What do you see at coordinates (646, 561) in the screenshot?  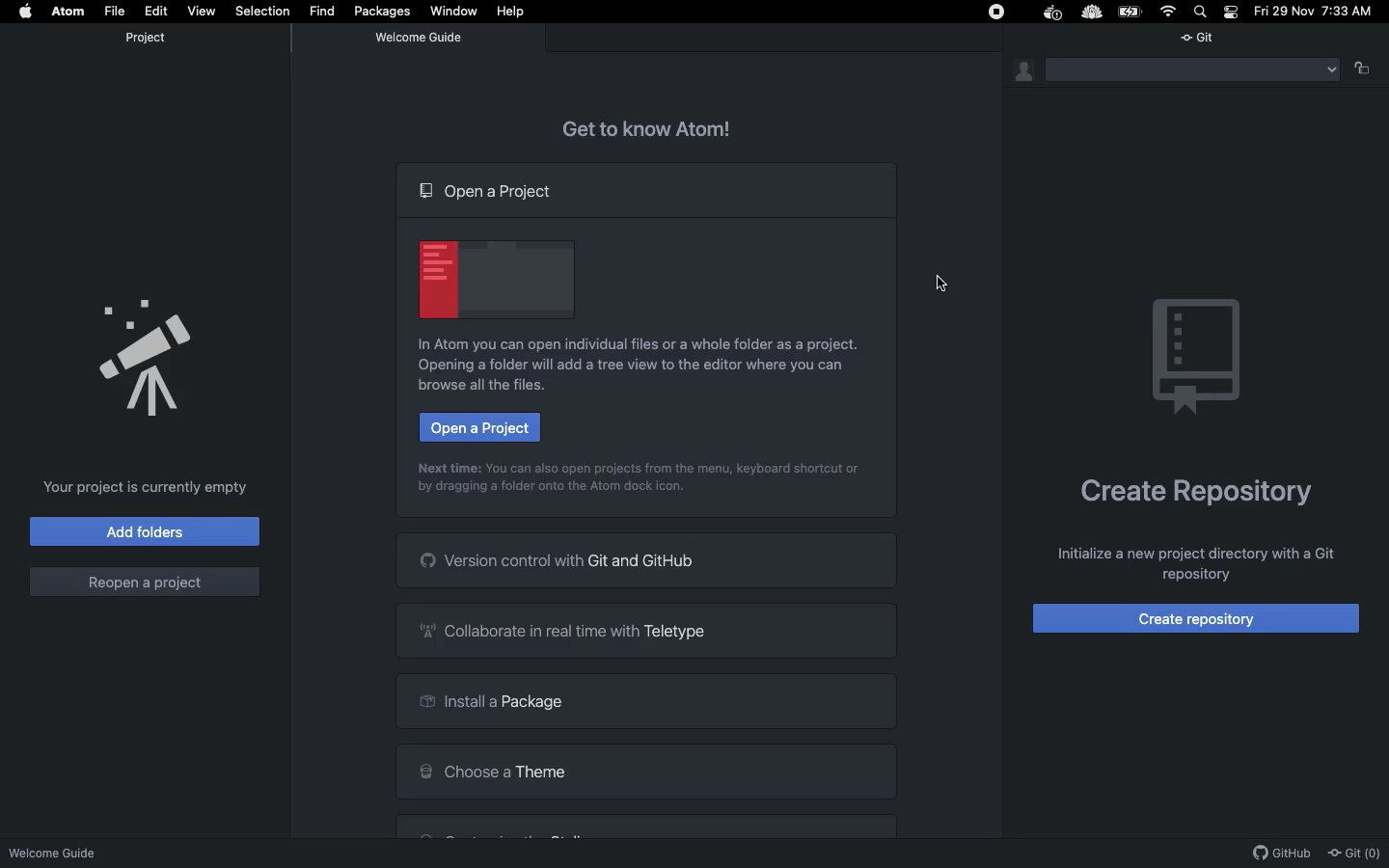 I see `Version control with Git and GitHub` at bounding box center [646, 561].